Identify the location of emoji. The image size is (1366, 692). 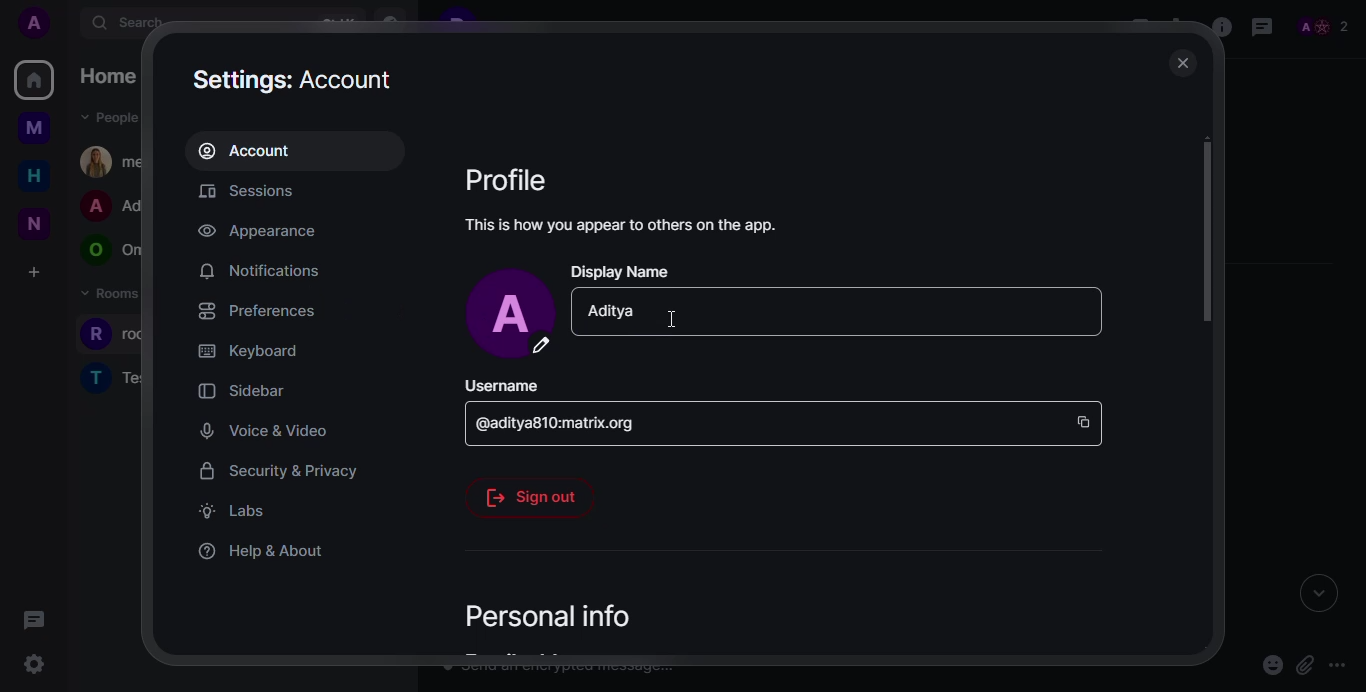
(1274, 663).